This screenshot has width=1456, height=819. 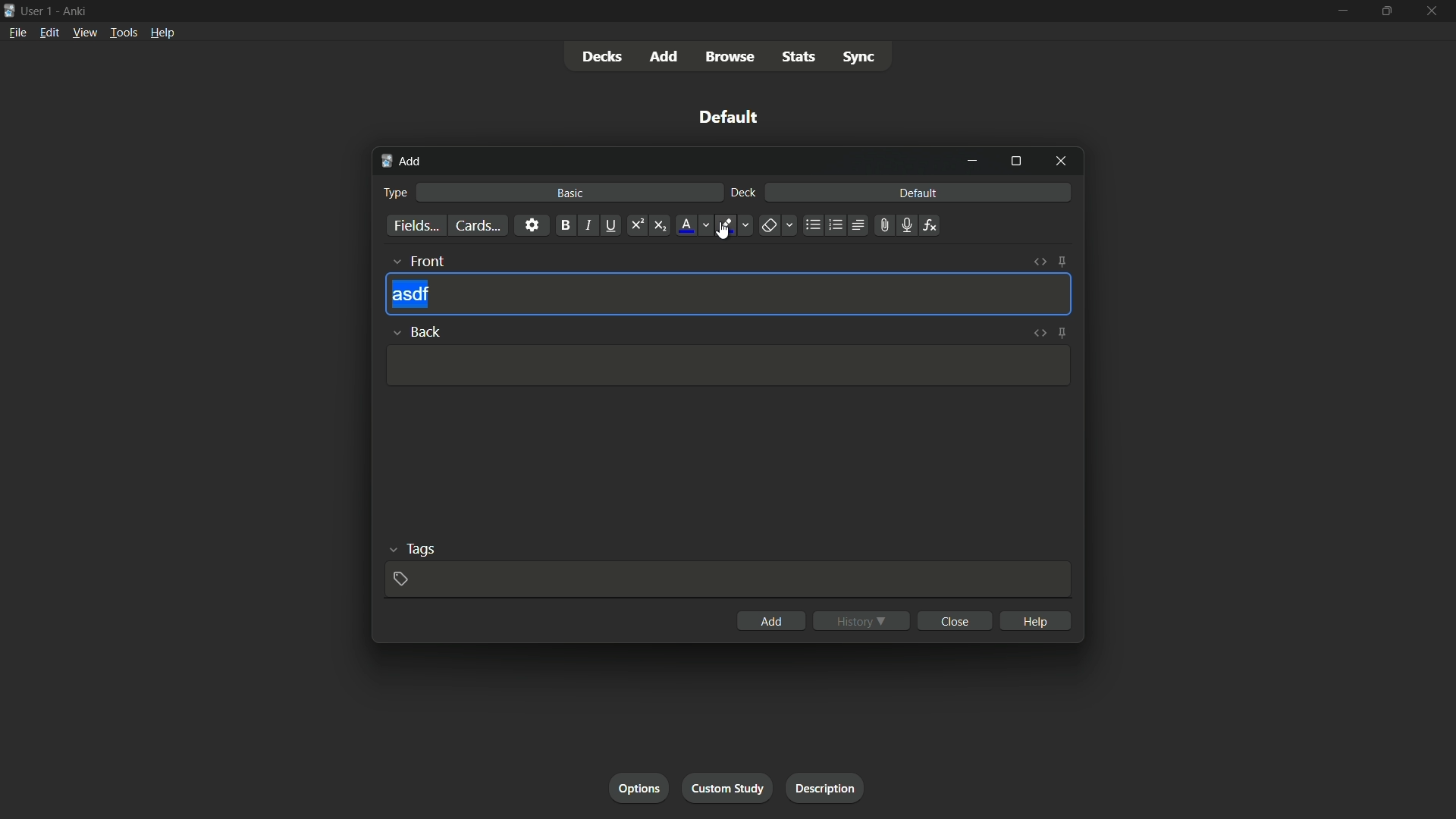 I want to click on help, so click(x=1036, y=621).